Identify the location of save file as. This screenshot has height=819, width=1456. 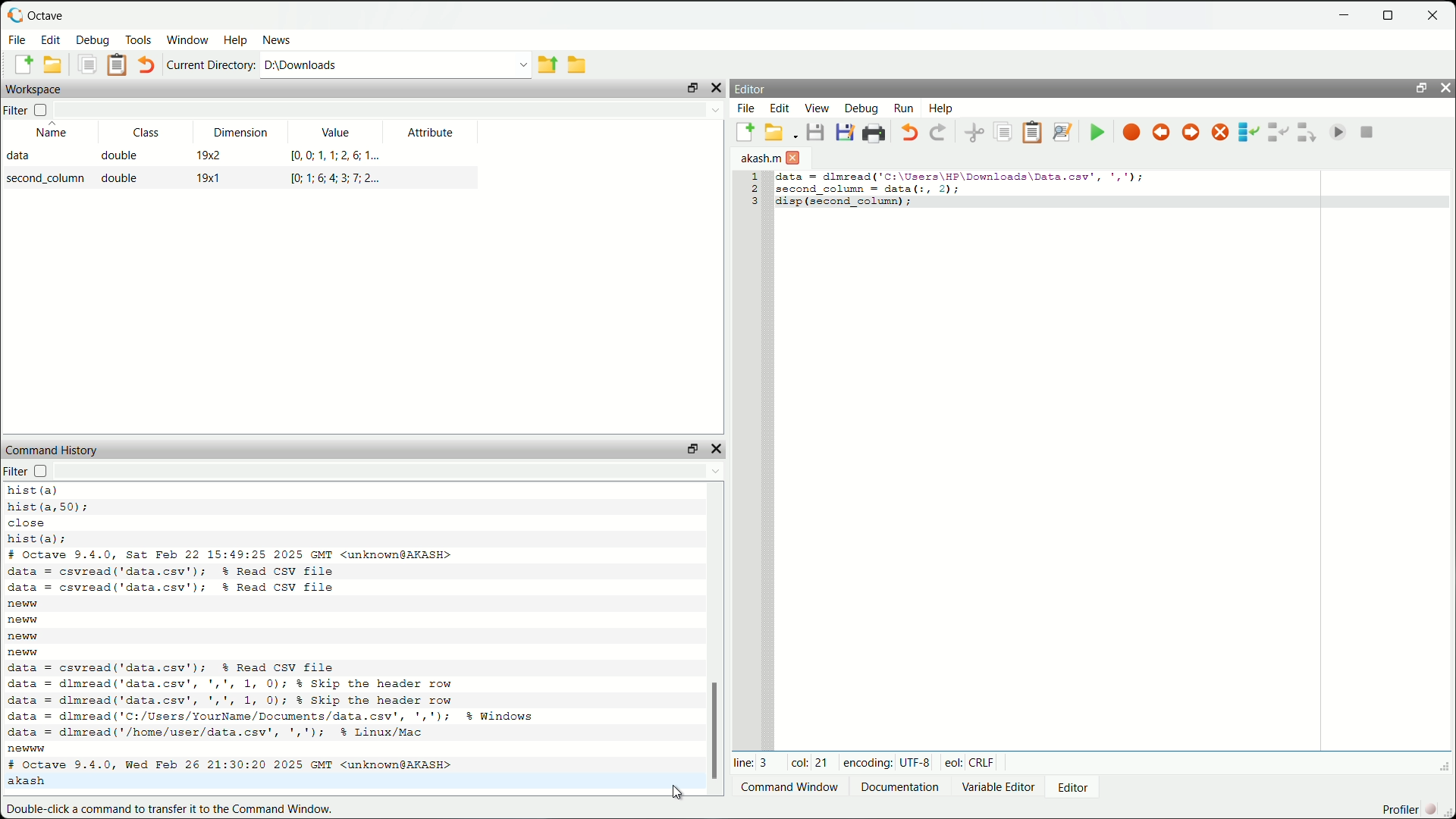
(844, 133).